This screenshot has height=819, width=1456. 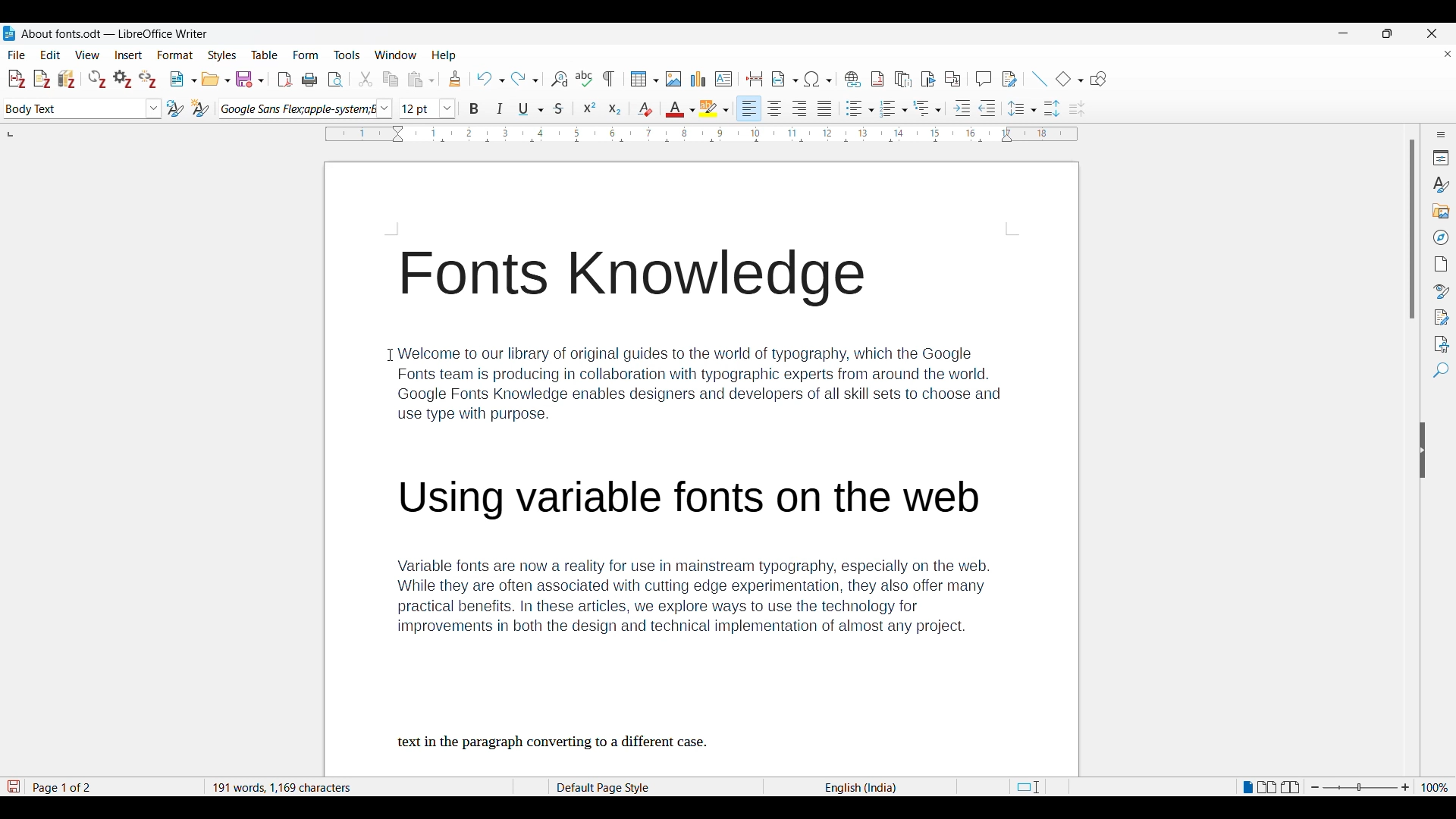 What do you see at coordinates (703, 509) in the screenshot?
I see `Current text` at bounding box center [703, 509].